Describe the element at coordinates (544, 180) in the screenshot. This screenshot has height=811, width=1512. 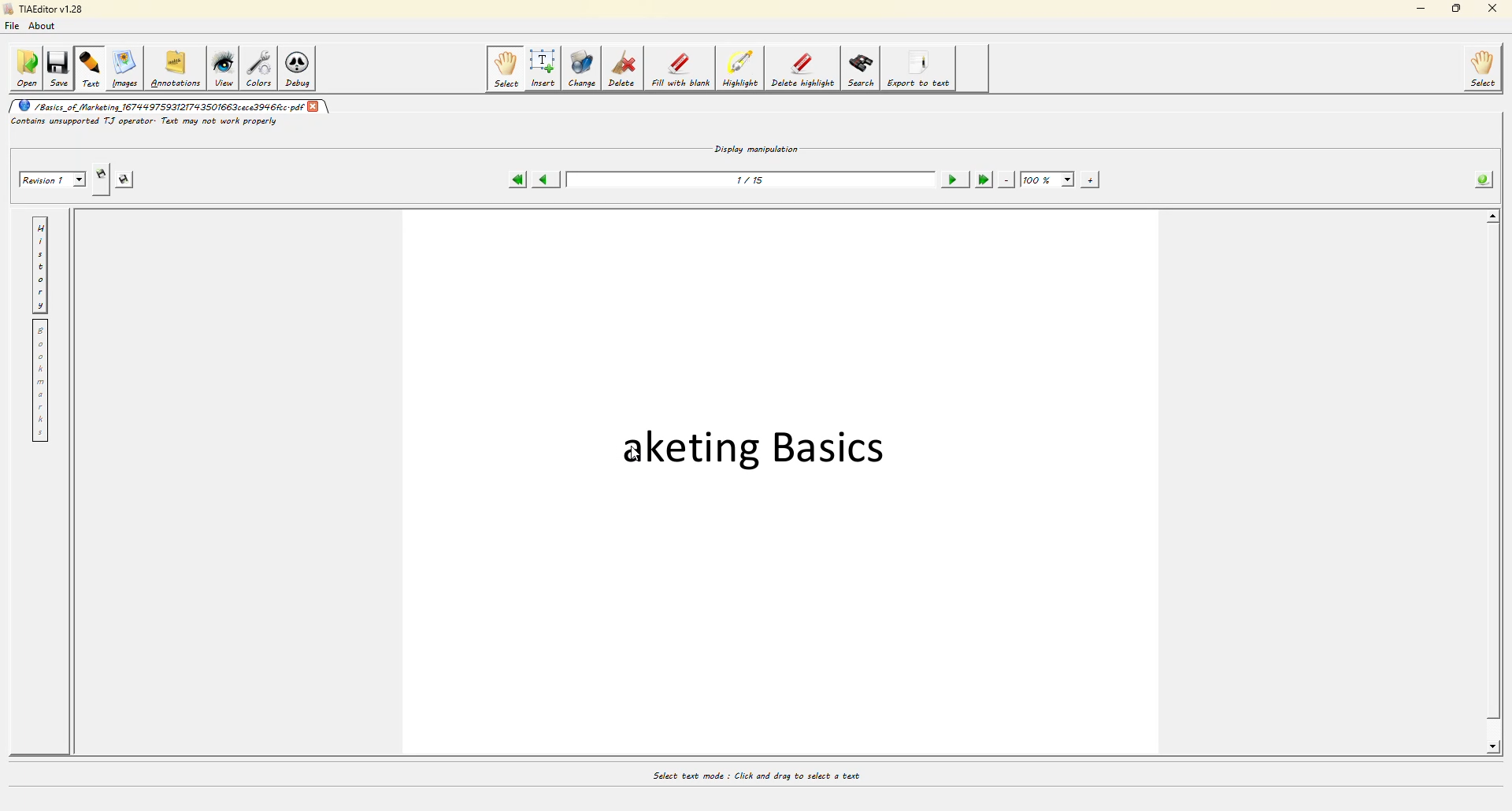
I see `previous page` at that location.